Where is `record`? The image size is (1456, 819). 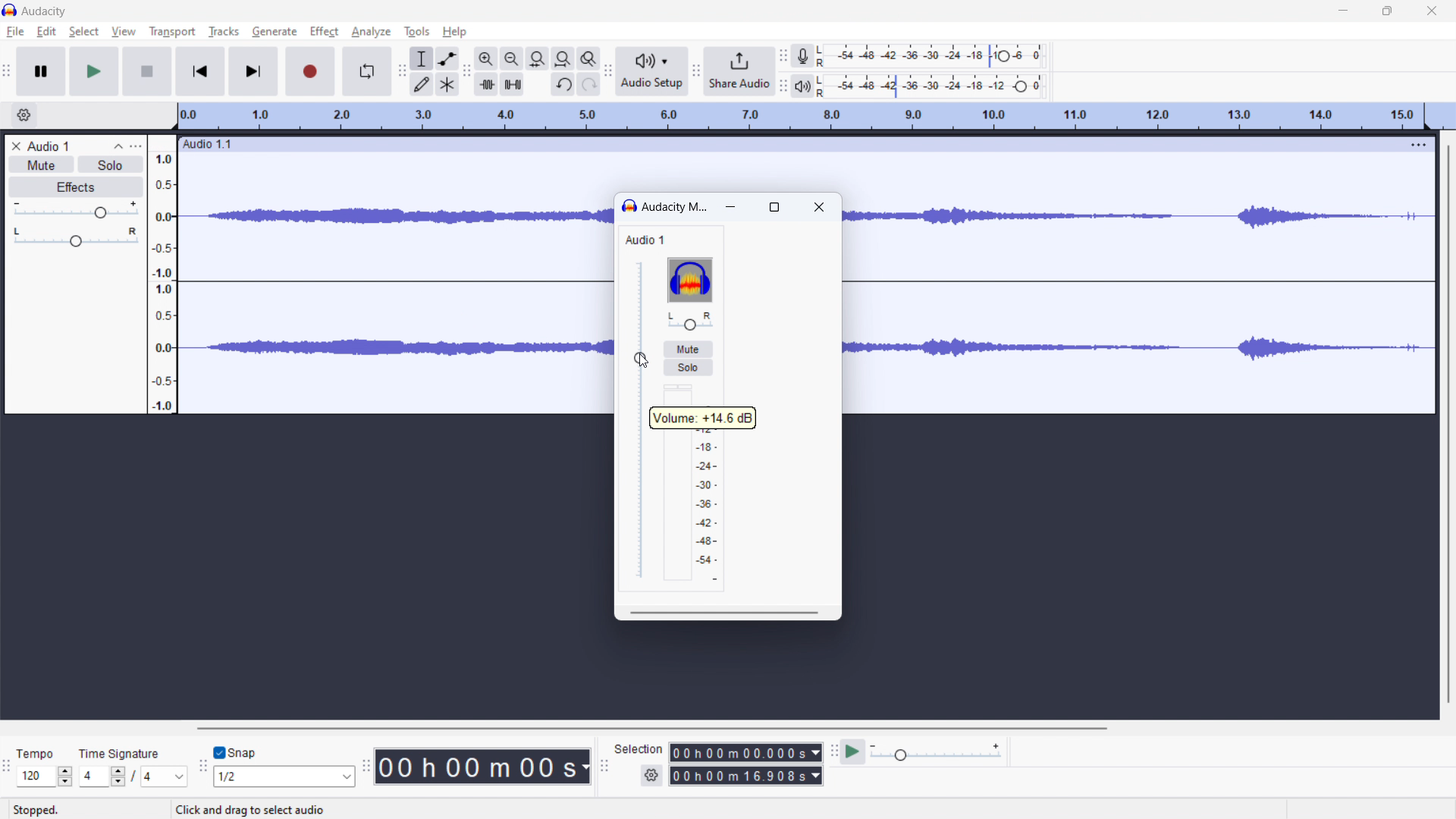 record is located at coordinates (309, 71).